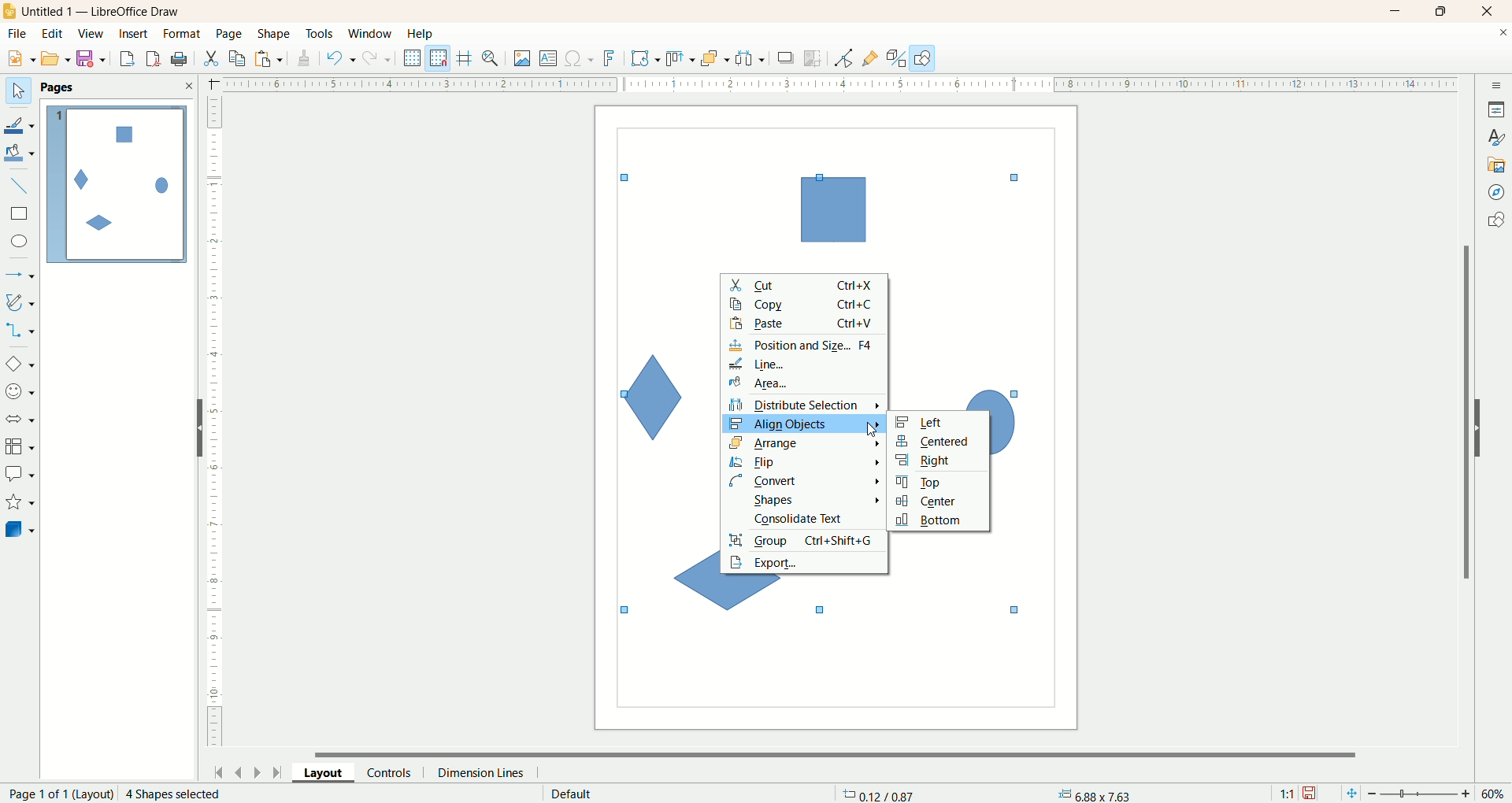  I want to click on properties, so click(1496, 109).